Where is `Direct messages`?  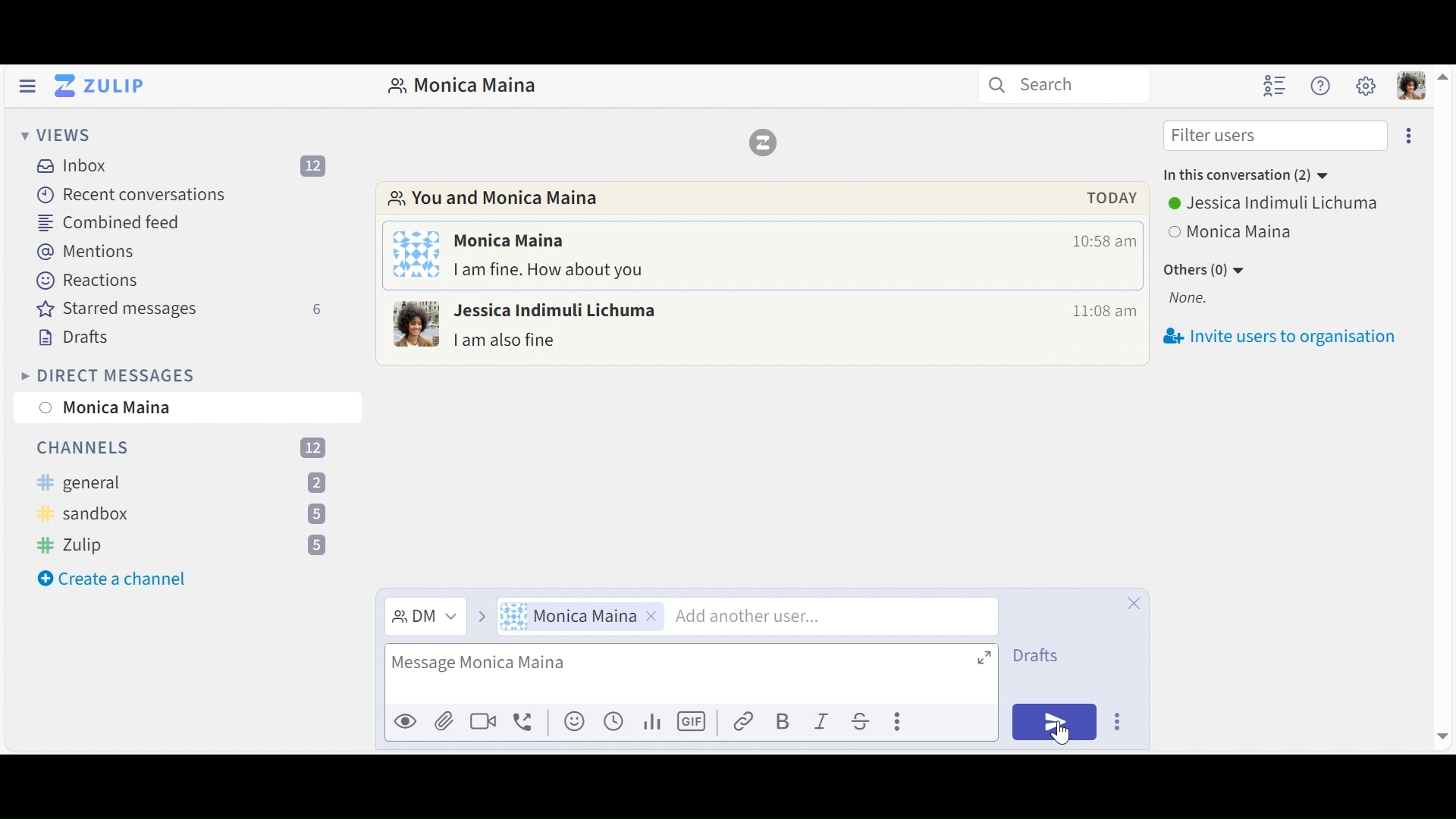
Direct messages is located at coordinates (759, 331).